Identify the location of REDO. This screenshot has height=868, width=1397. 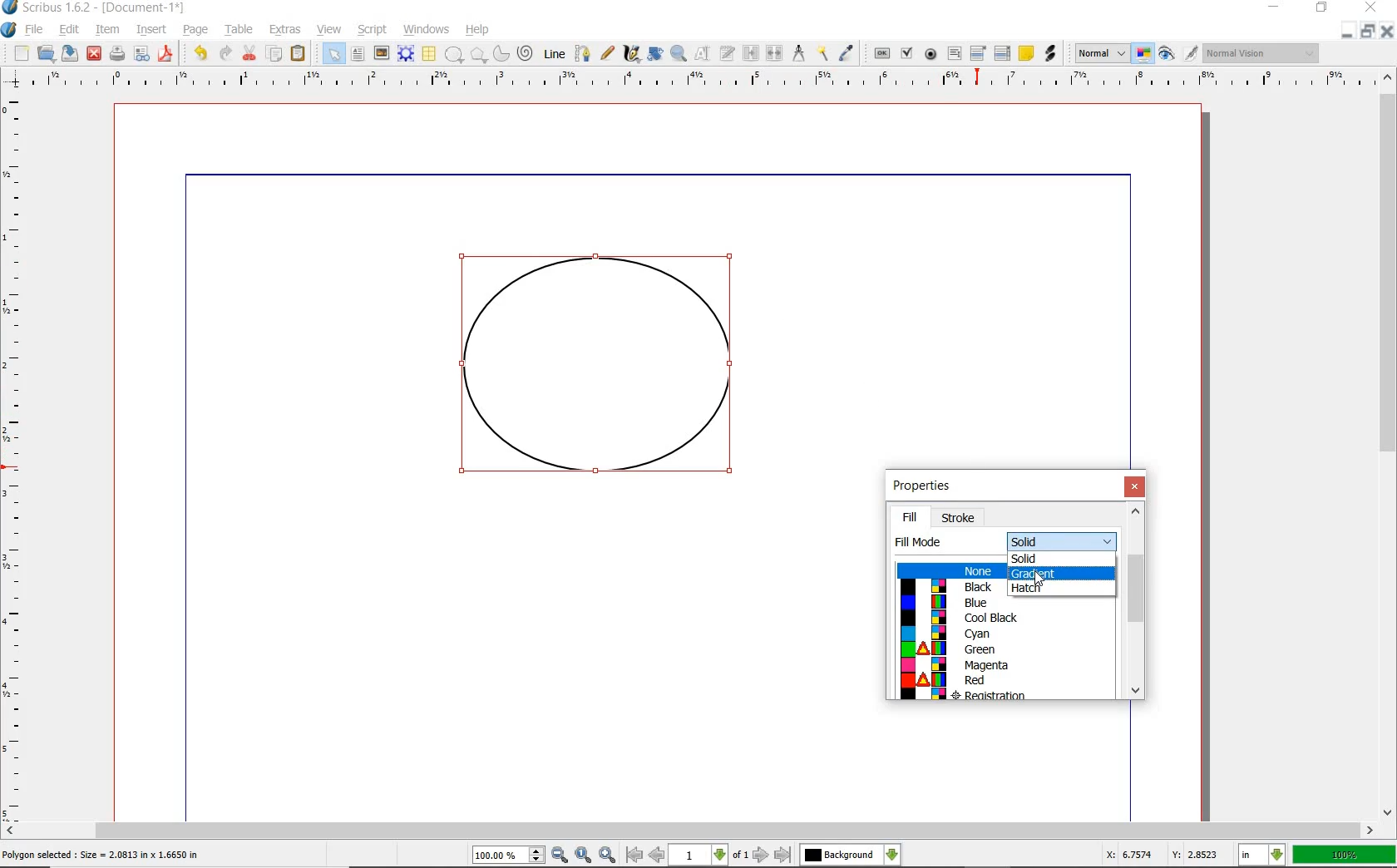
(225, 52).